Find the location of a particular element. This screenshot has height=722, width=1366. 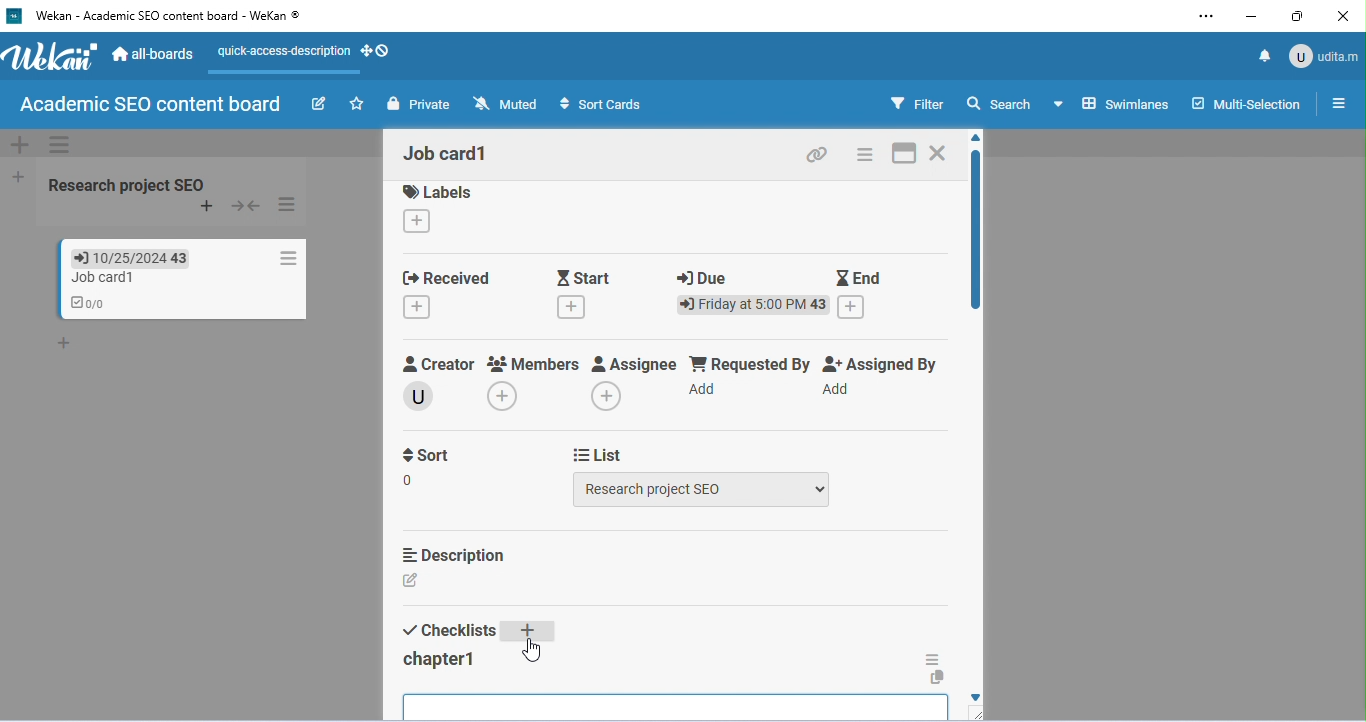

muted is located at coordinates (504, 103).